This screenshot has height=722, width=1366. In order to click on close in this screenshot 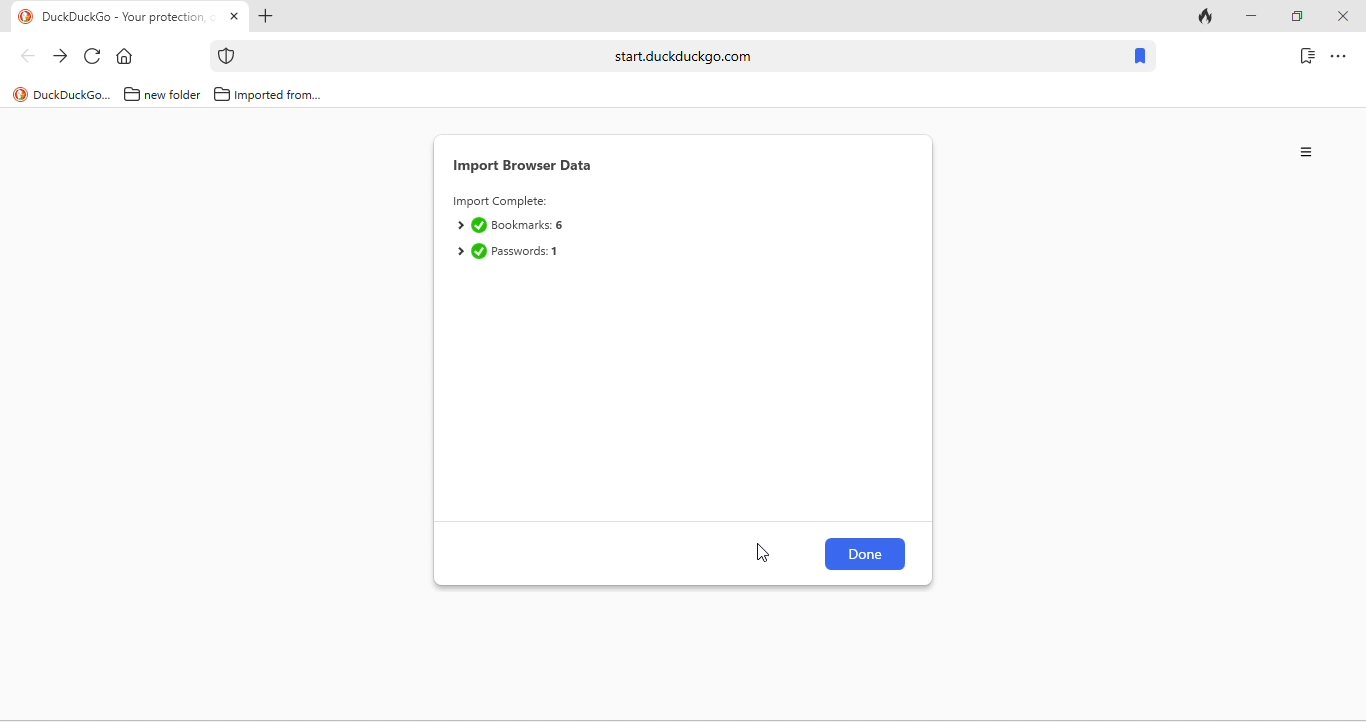, I will do `click(1342, 17)`.